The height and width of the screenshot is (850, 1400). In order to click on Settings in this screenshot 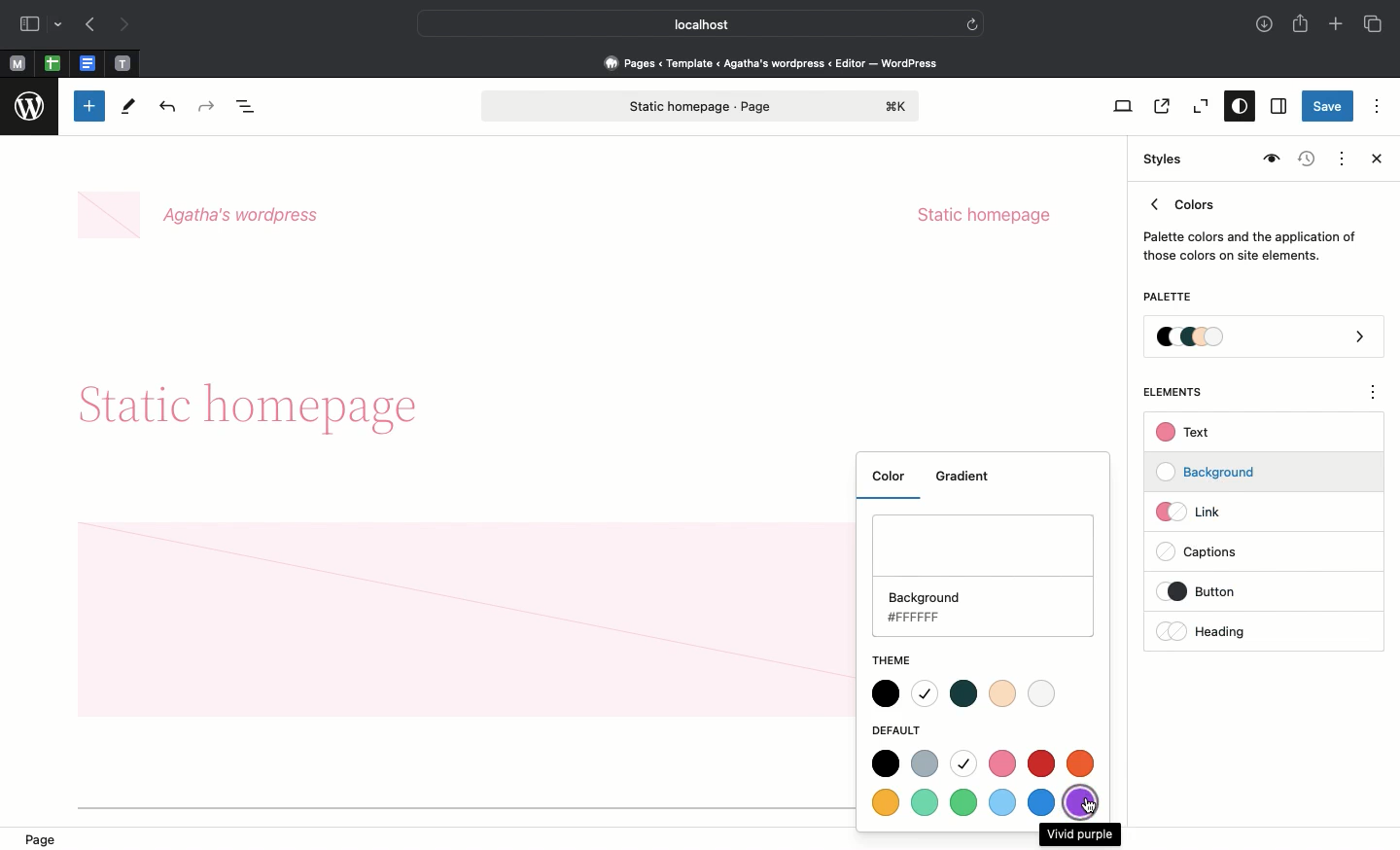, I will do `click(1277, 107)`.